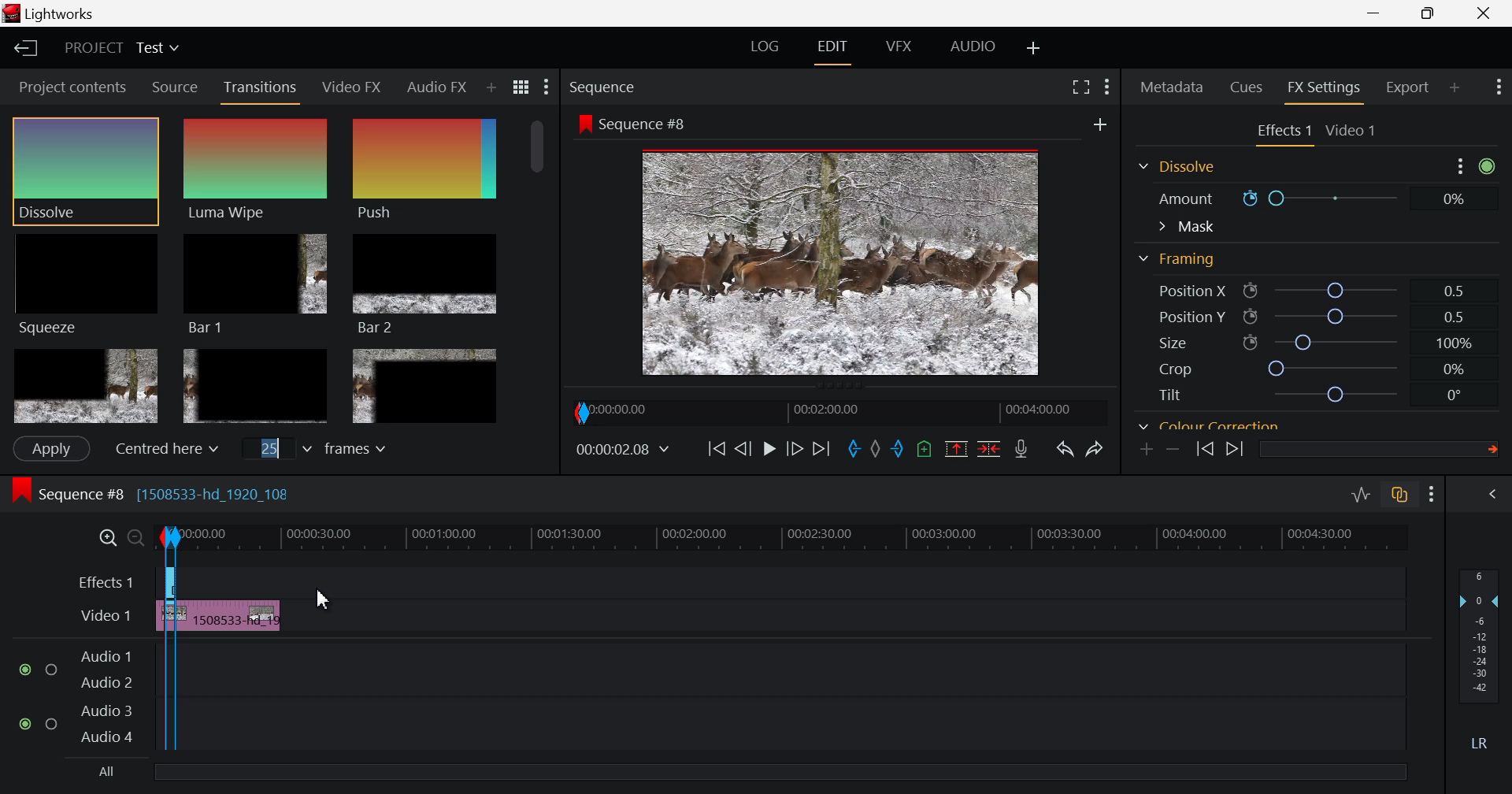  I want to click on Remove all marks, so click(875, 448).